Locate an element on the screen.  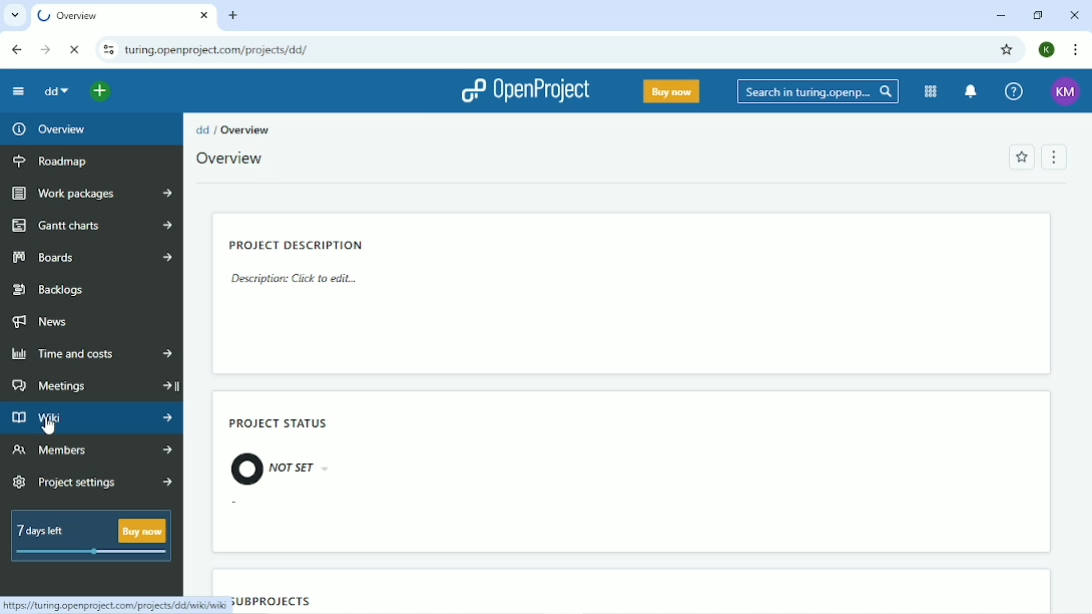
Overview is located at coordinates (228, 158).